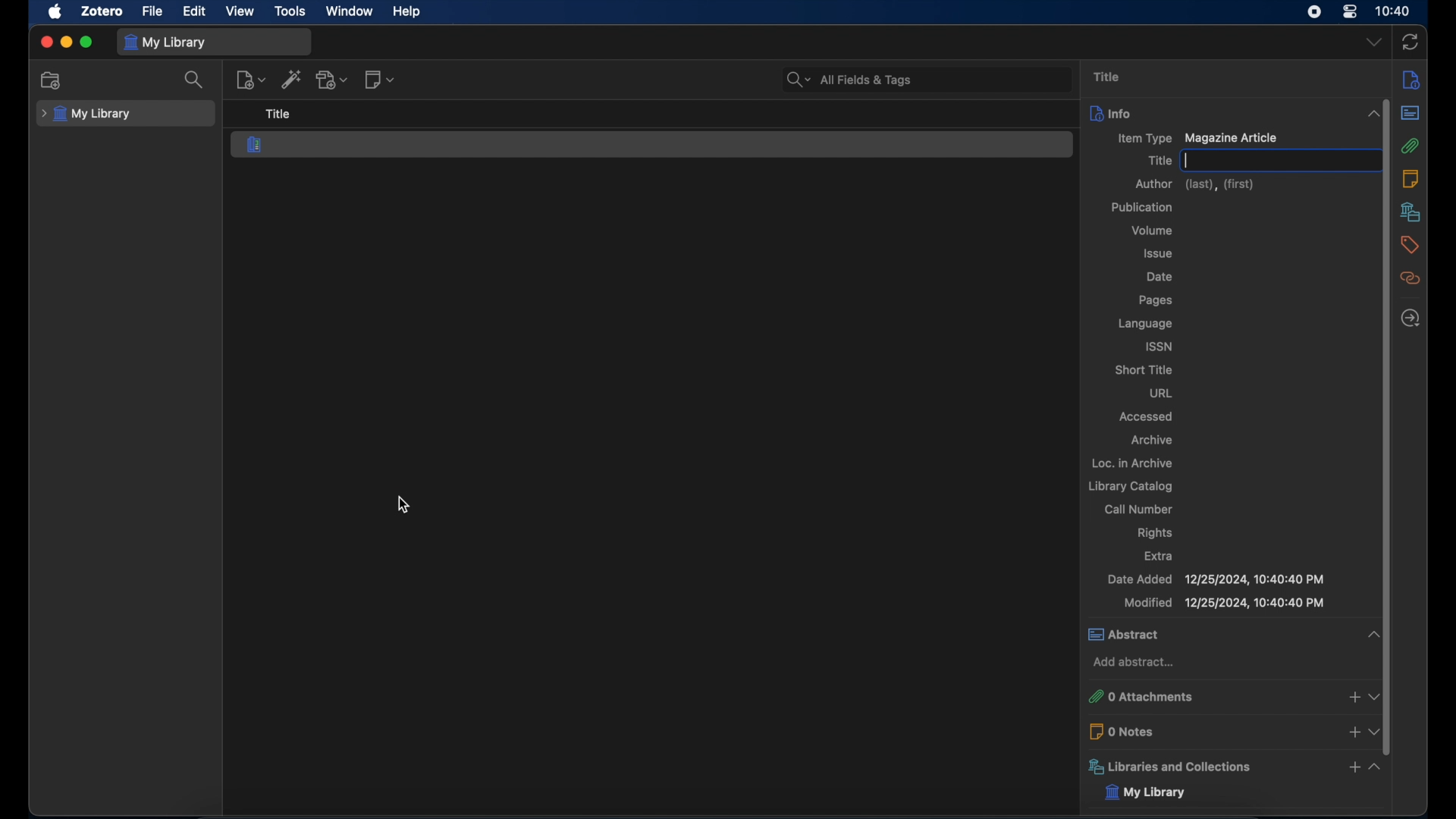 This screenshot has width=1456, height=819. I want to click on add abstract, so click(1134, 662).